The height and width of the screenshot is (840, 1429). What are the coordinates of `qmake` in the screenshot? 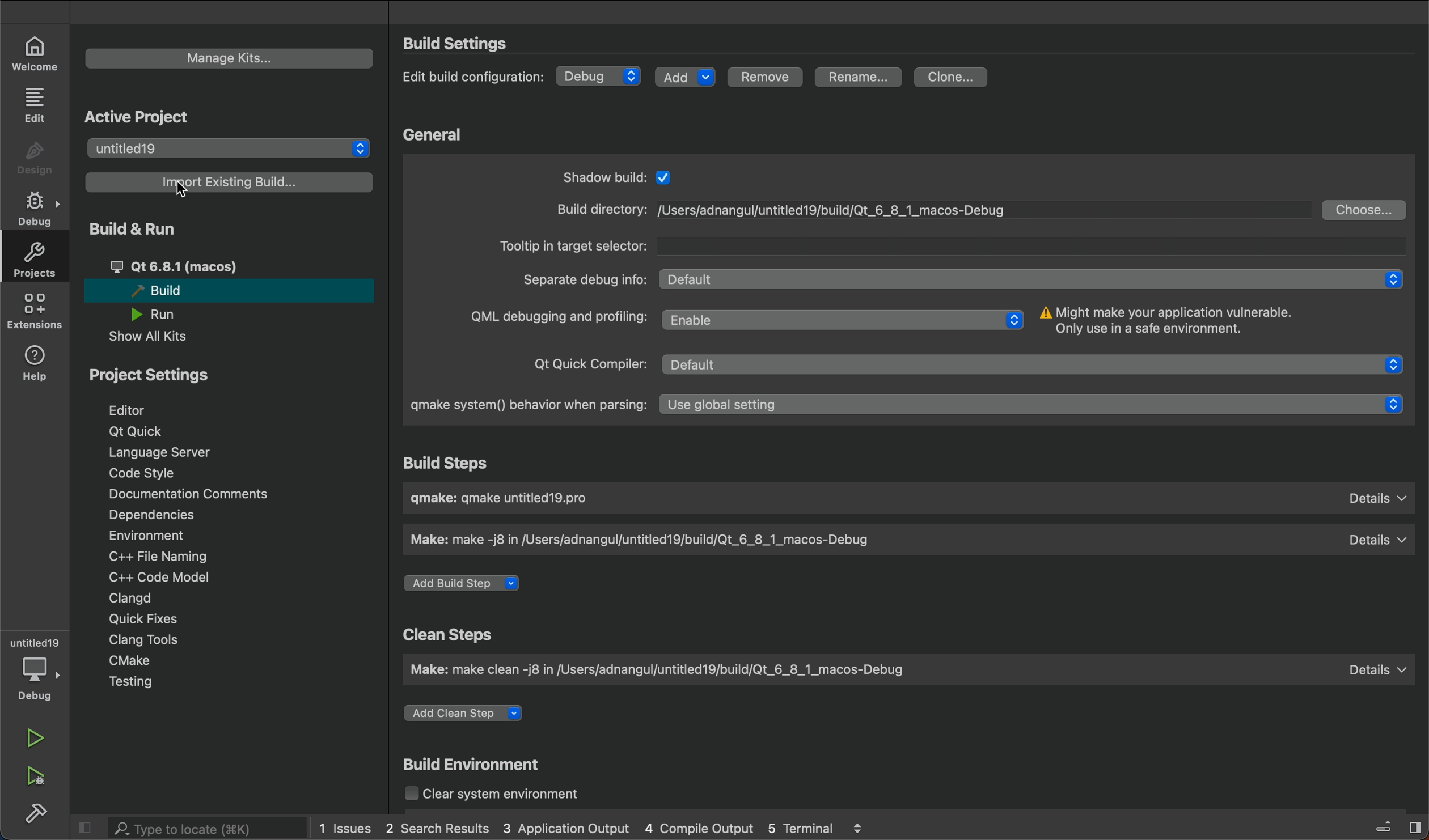 It's located at (910, 498).